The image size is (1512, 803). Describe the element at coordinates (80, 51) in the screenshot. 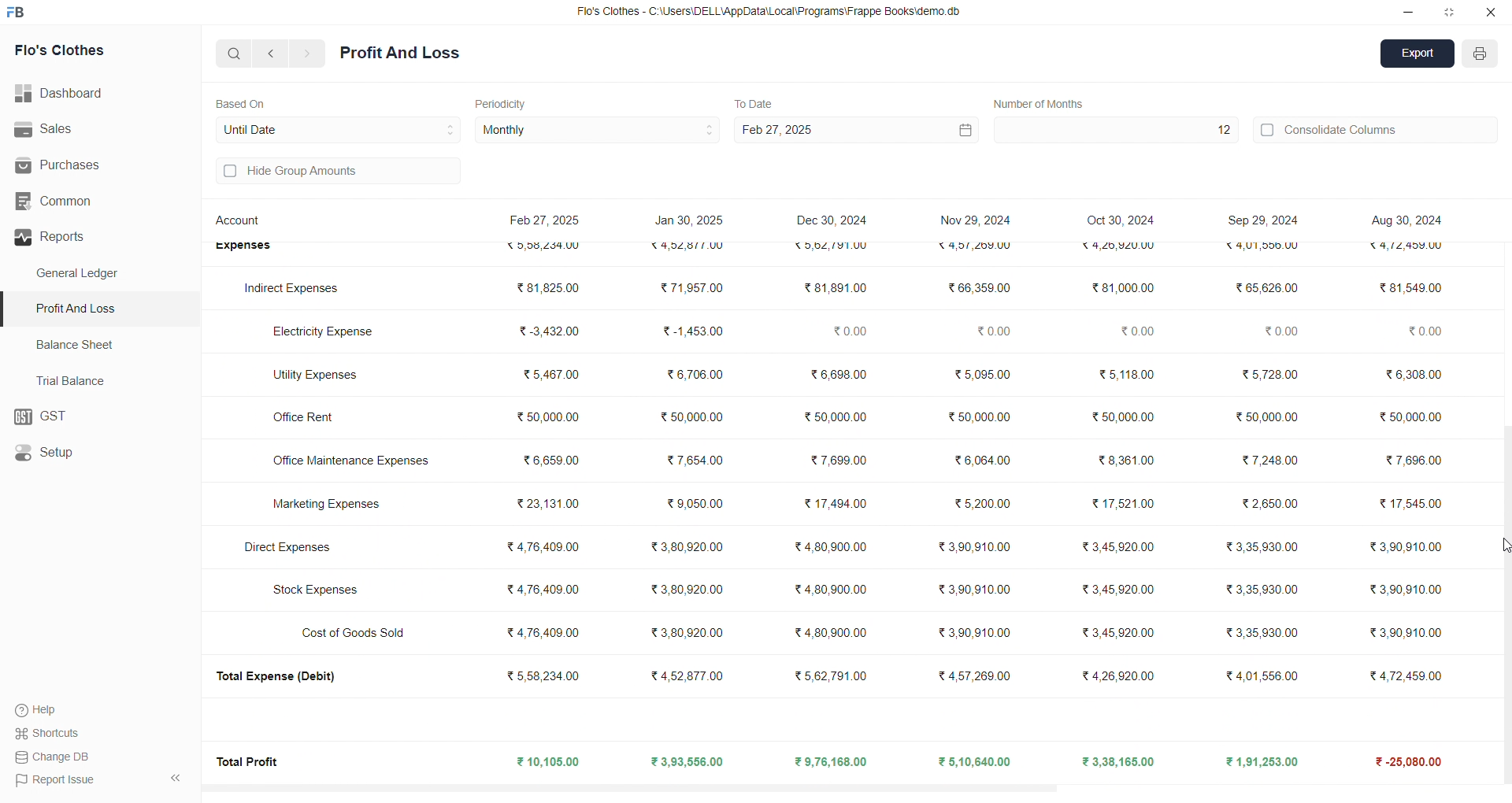

I see `Flo's Clothes` at that location.